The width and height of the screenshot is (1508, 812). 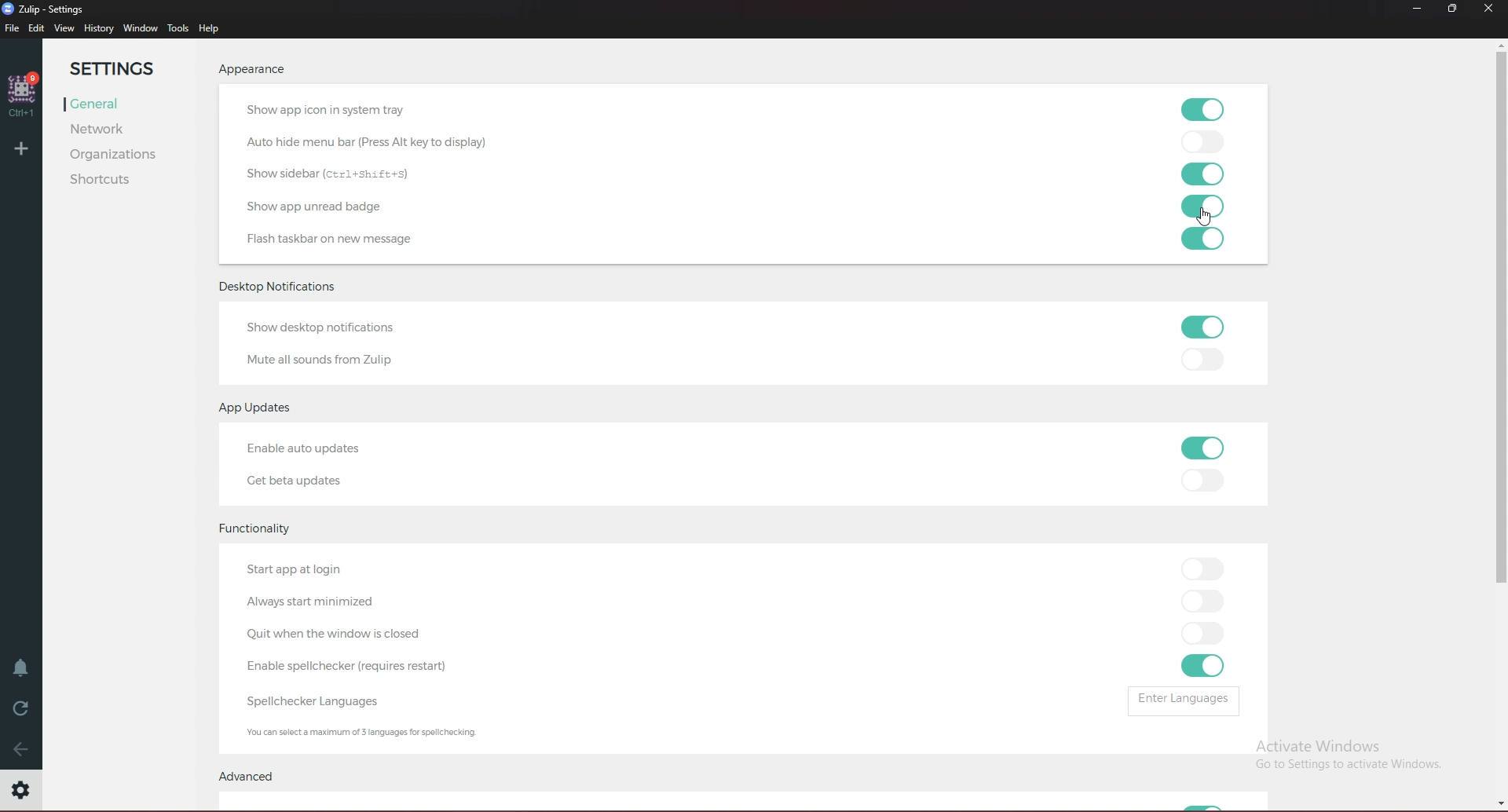 I want to click on toggle, so click(x=1204, y=328).